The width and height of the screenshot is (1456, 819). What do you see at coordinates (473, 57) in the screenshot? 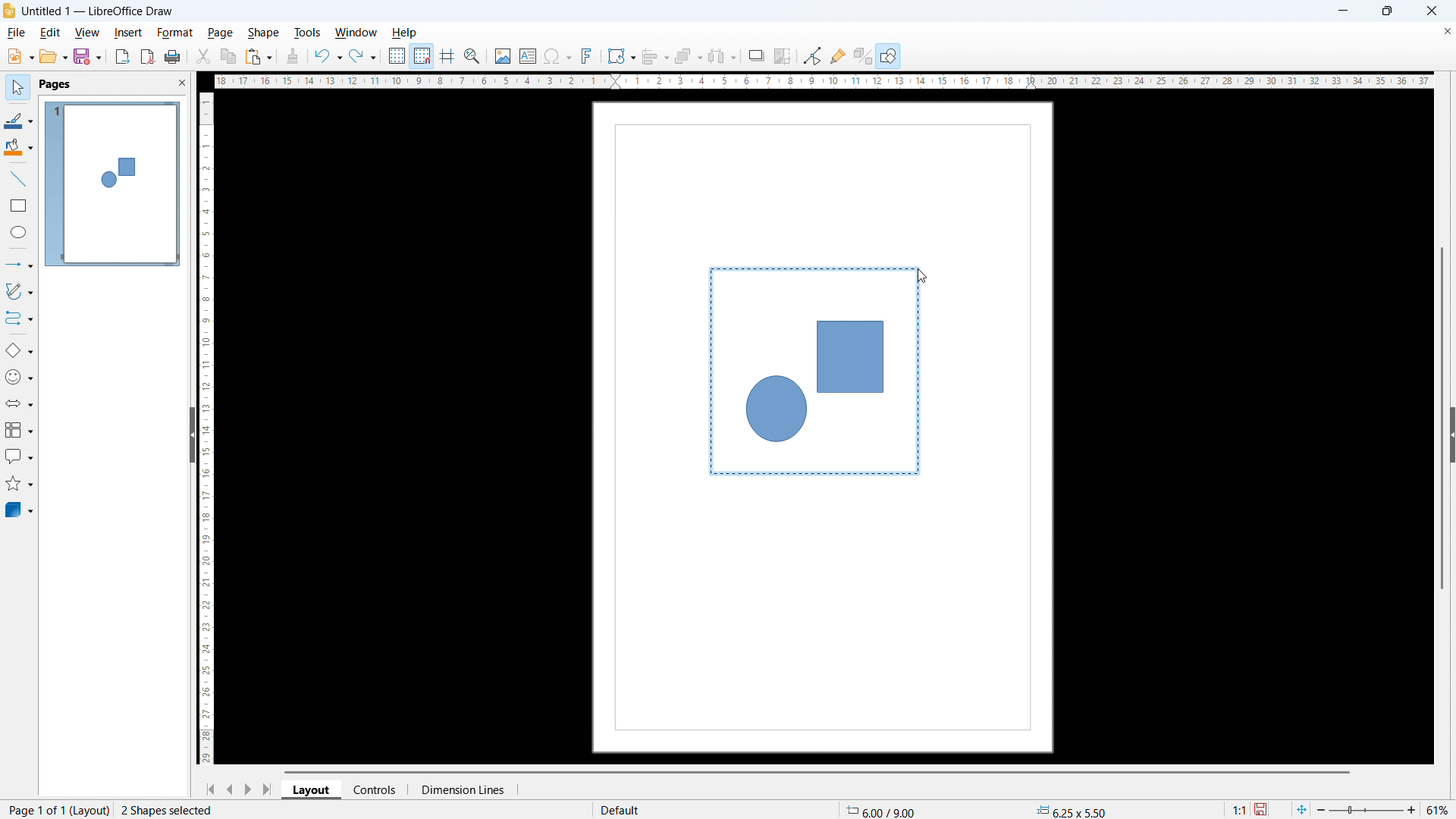
I see `zoom` at bounding box center [473, 57].